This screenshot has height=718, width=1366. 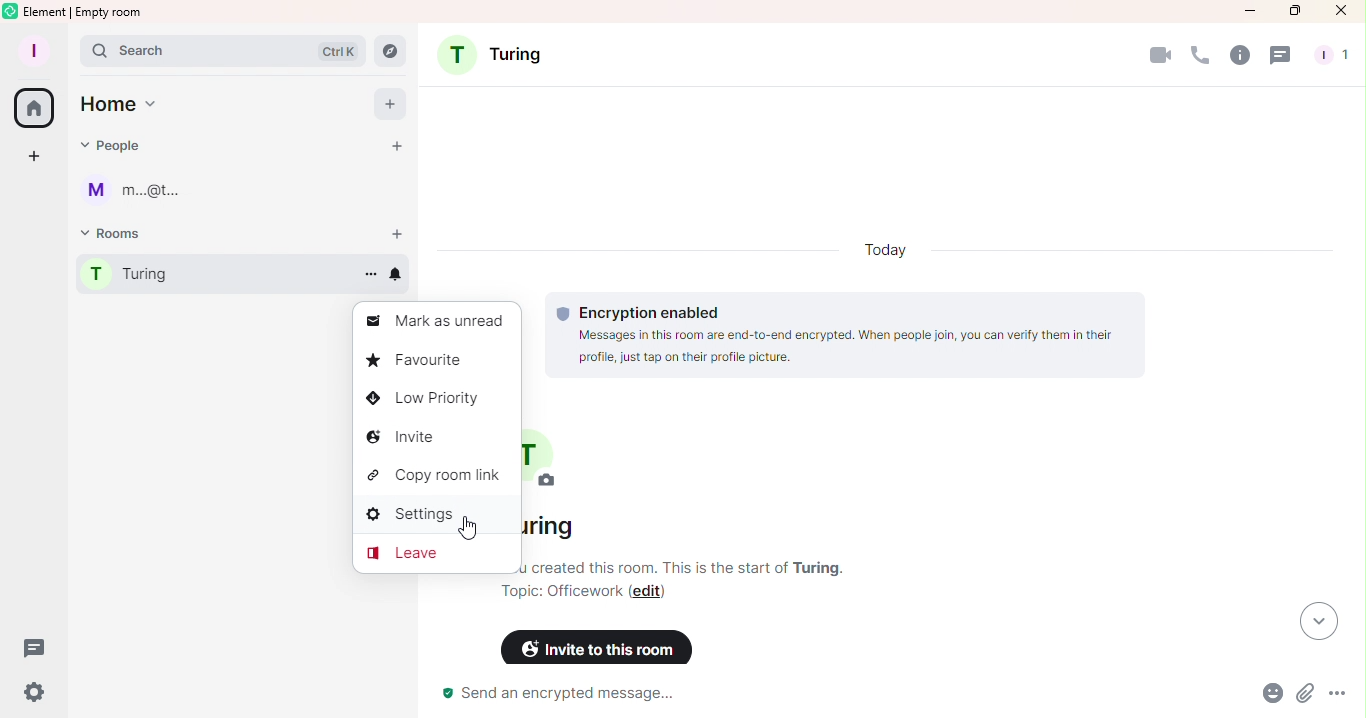 What do you see at coordinates (605, 696) in the screenshot?
I see `Send an encrypted message` at bounding box center [605, 696].